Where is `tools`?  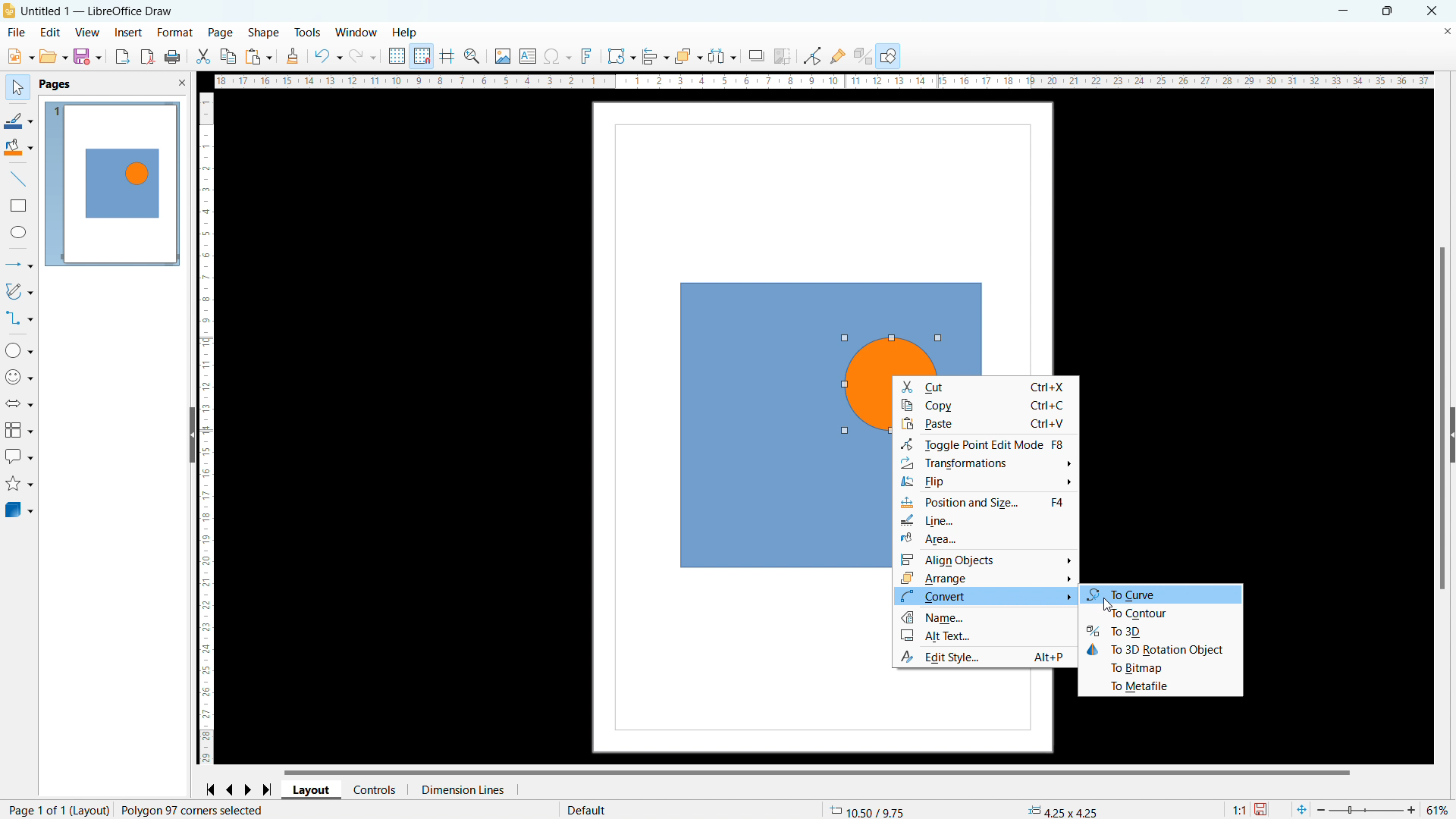
tools is located at coordinates (308, 32).